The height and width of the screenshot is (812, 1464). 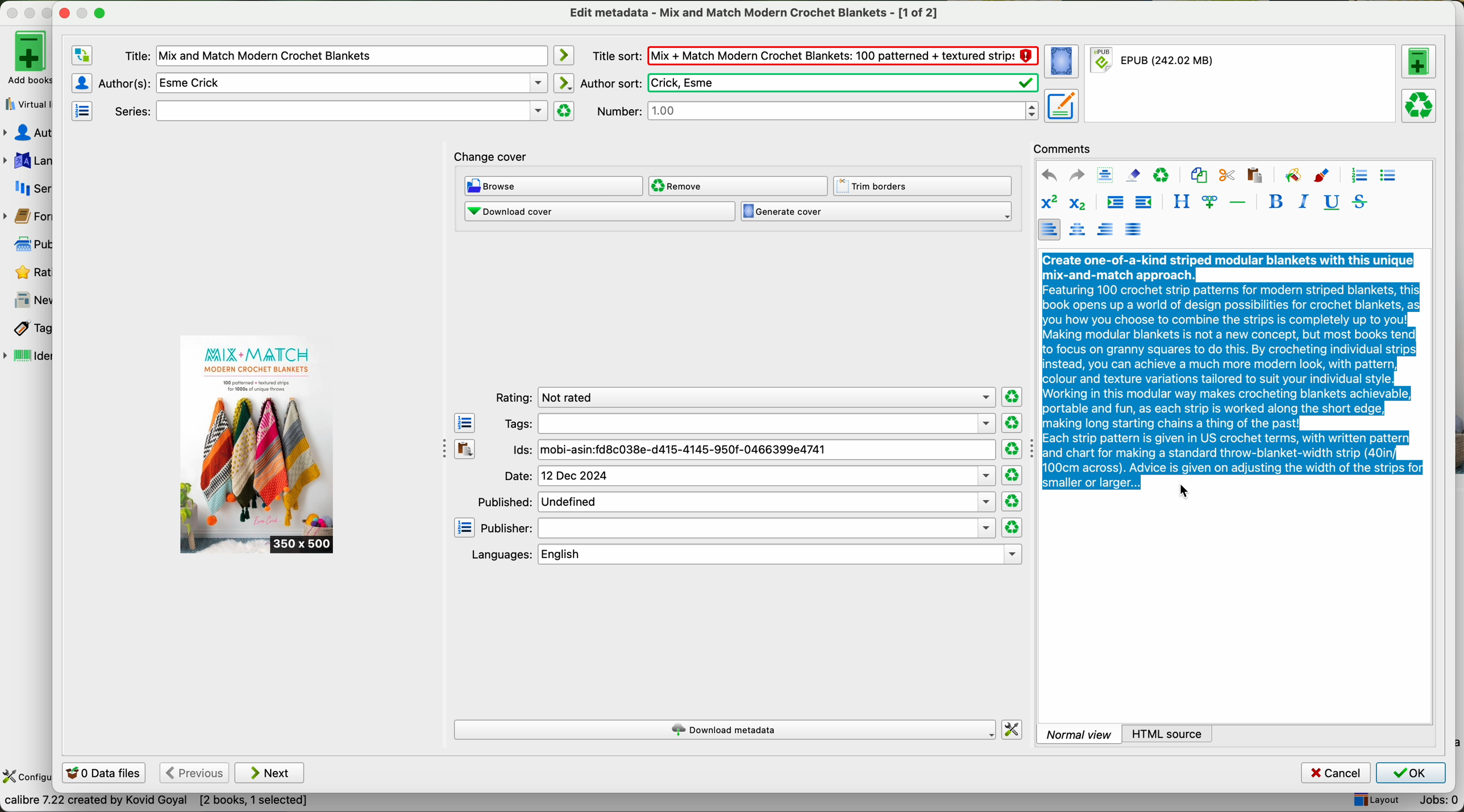 What do you see at coordinates (748, 423) in the screenshot?
I see `tags` at bounding box center [748, 423].